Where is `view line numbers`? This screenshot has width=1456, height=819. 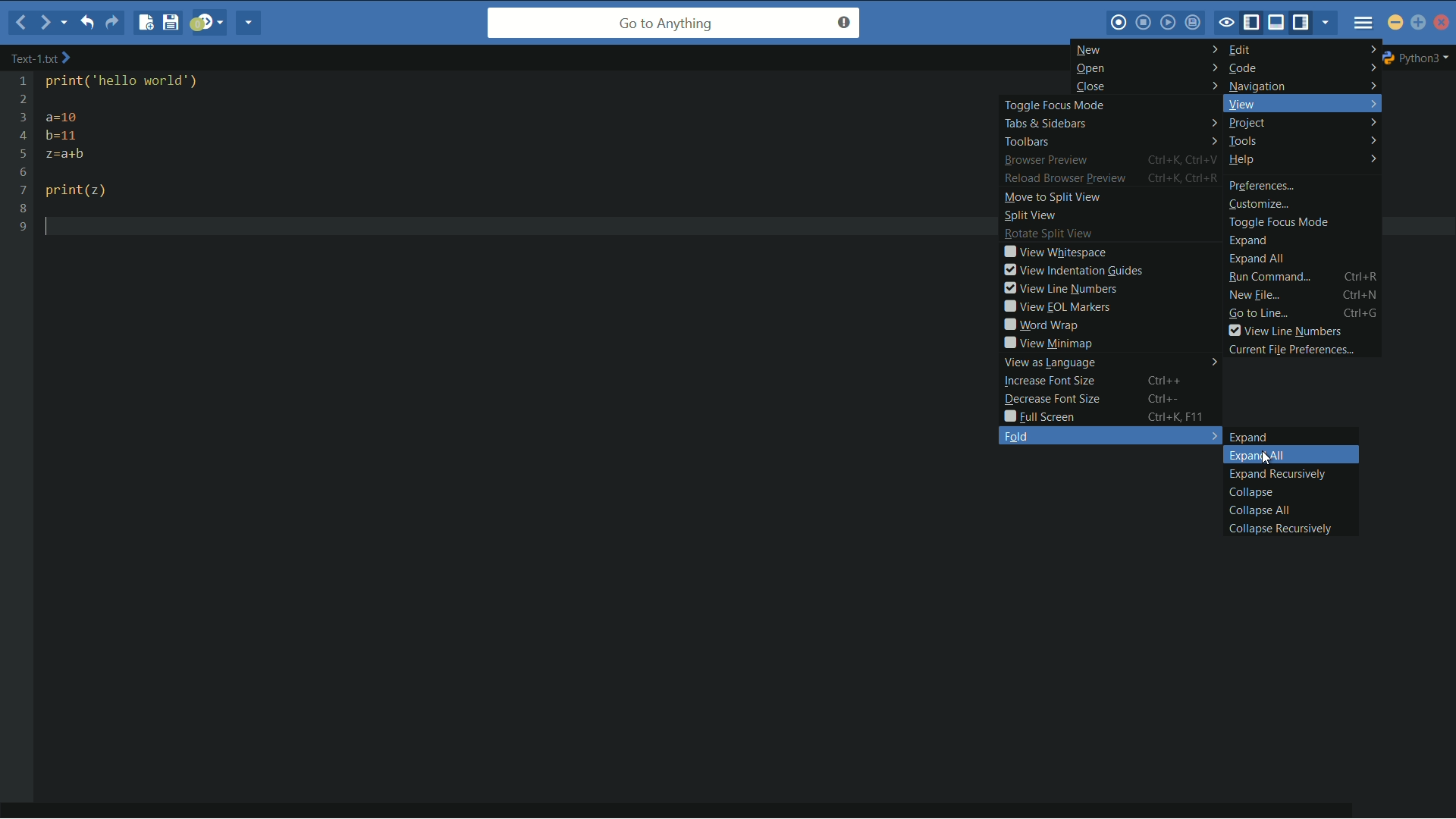
view line numbers is located at coordinates (1059, 288).